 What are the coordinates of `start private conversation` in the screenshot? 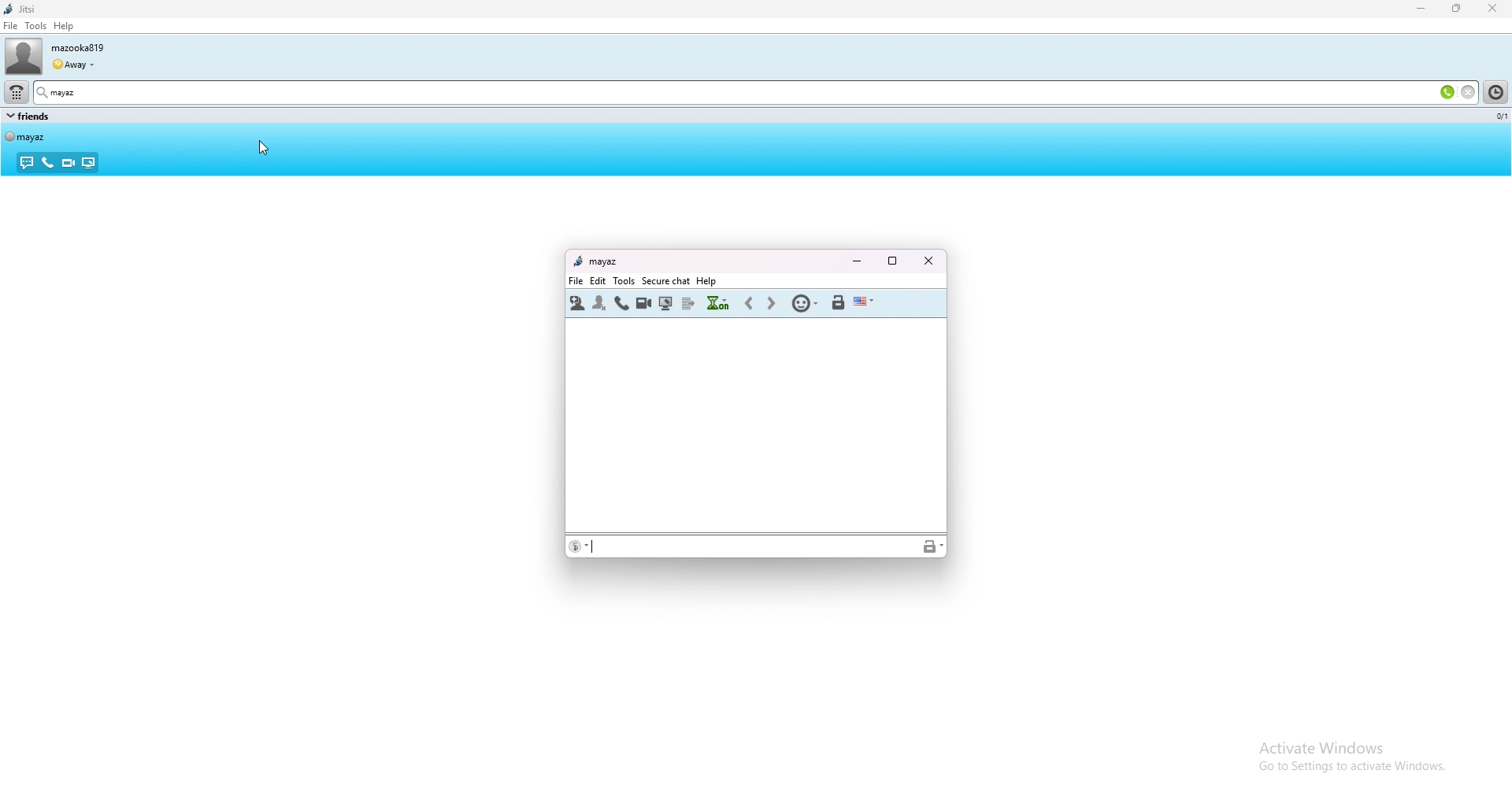 It's located at (838, 302).